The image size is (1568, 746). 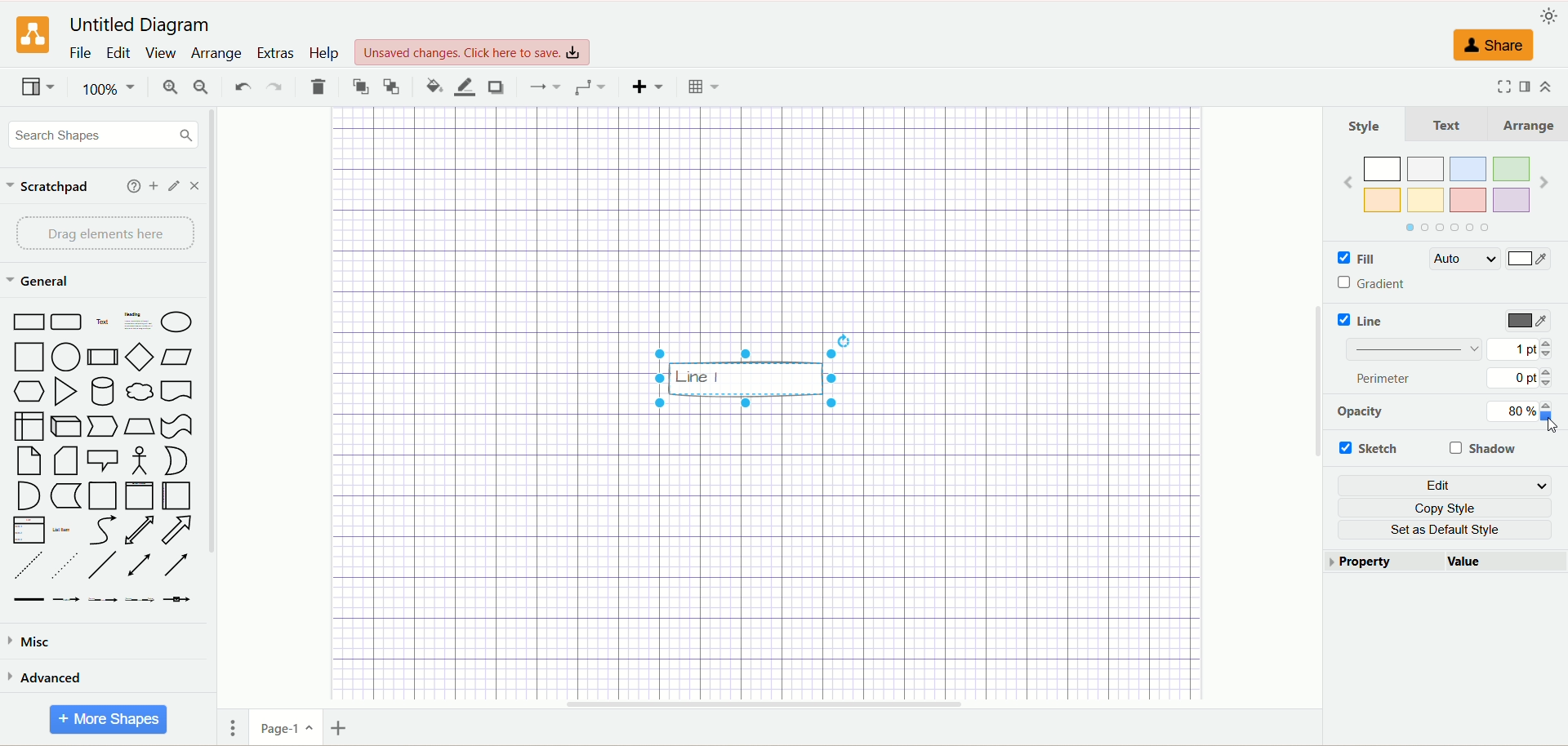 I want to click on Bidirectional Arrow, so click(x=140, y=531).